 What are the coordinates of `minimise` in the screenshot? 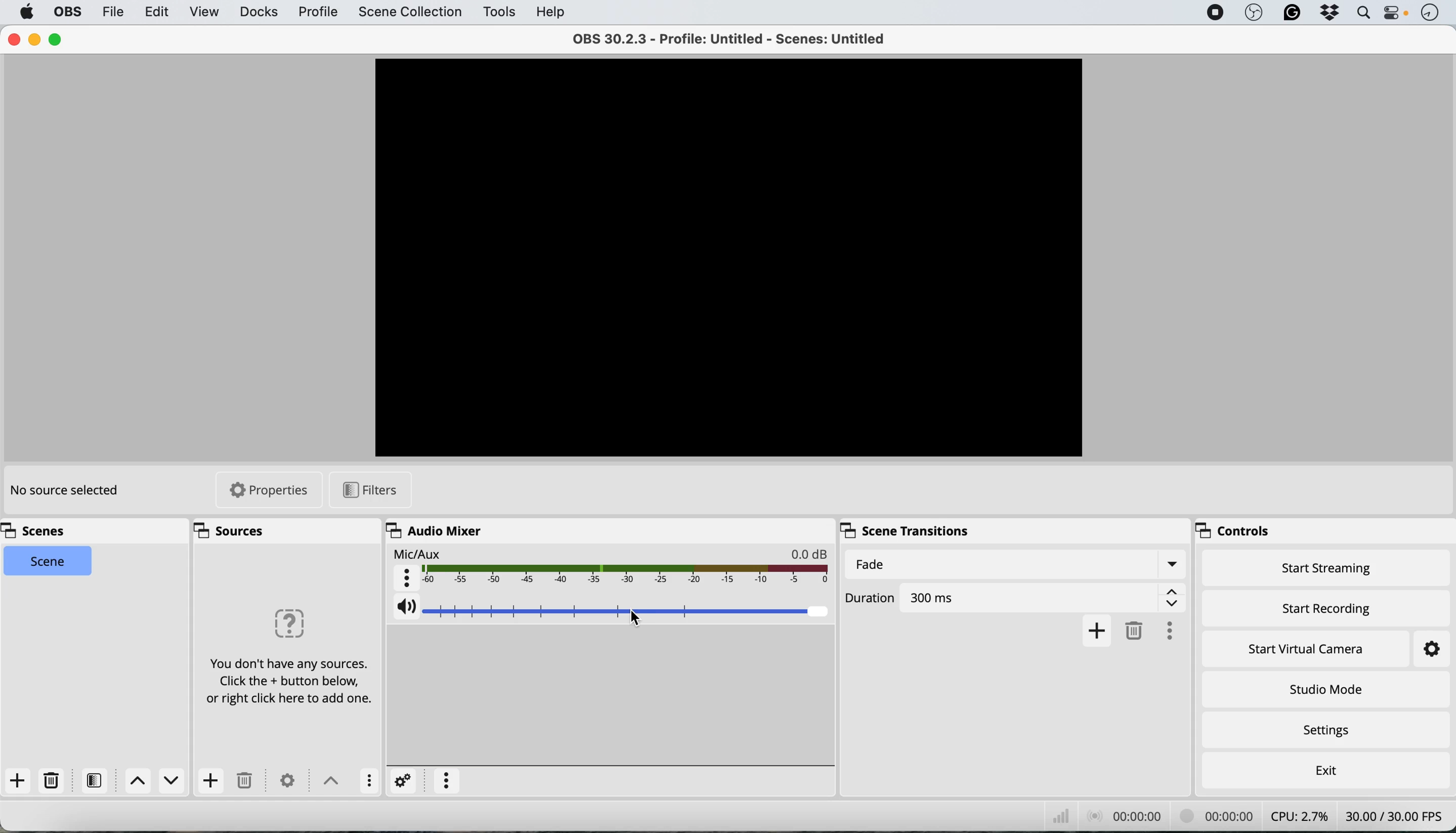 It's located at (33, 41).